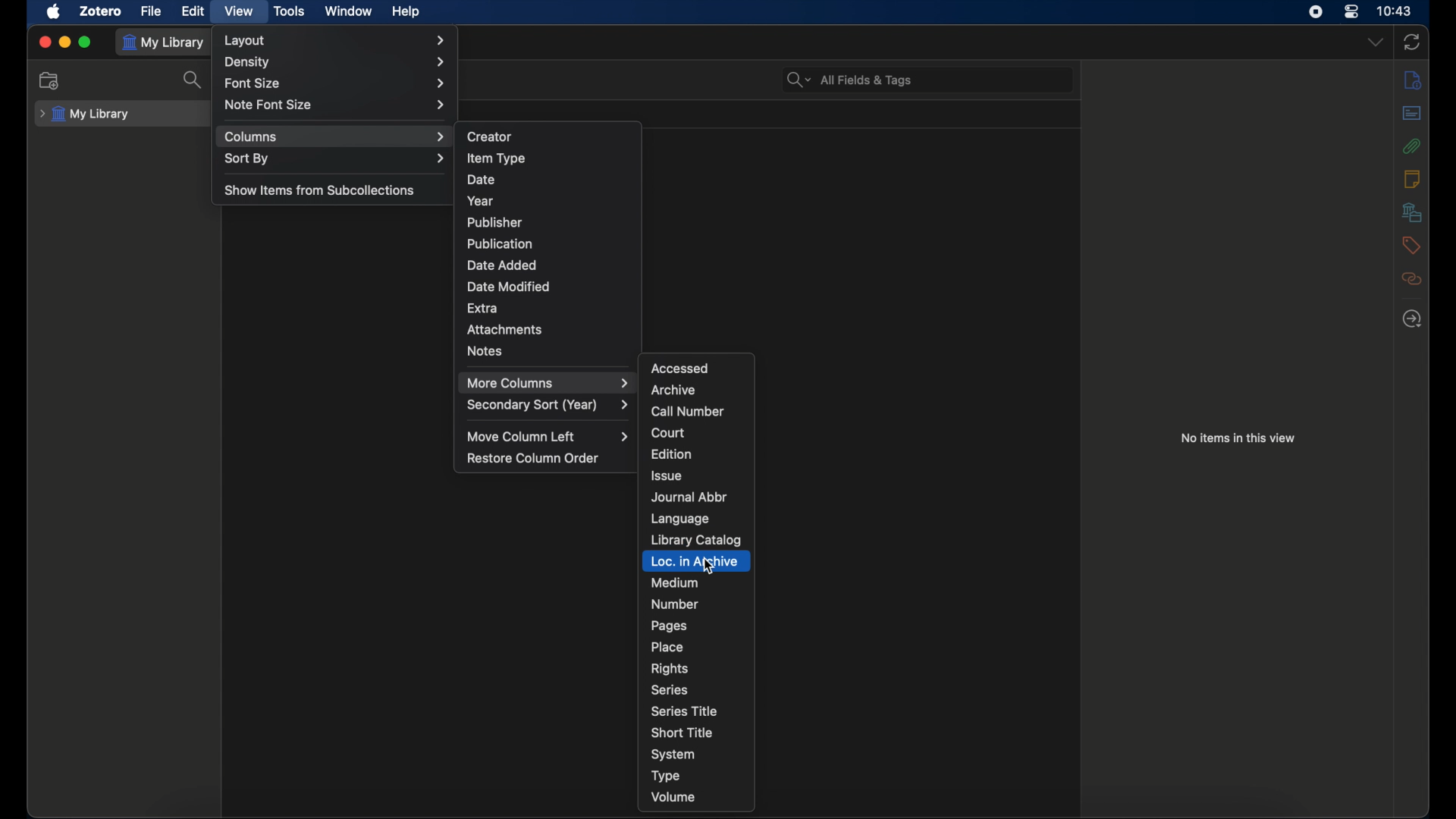 This screenshot has width=1456, height=819. I want to click on show items from subcollections, so click(320, 191).